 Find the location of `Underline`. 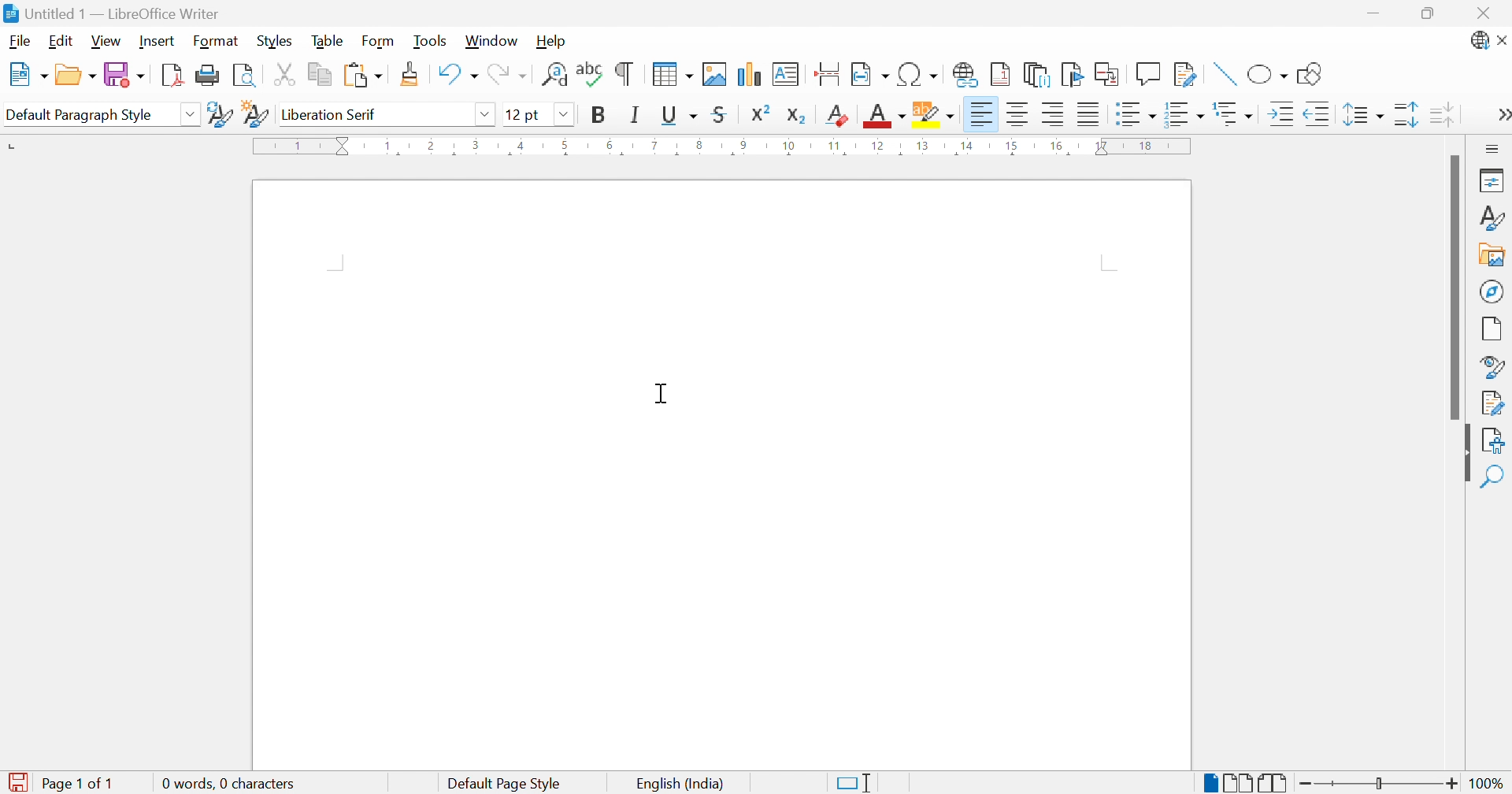

Underline is located at coordinates (678, 114).